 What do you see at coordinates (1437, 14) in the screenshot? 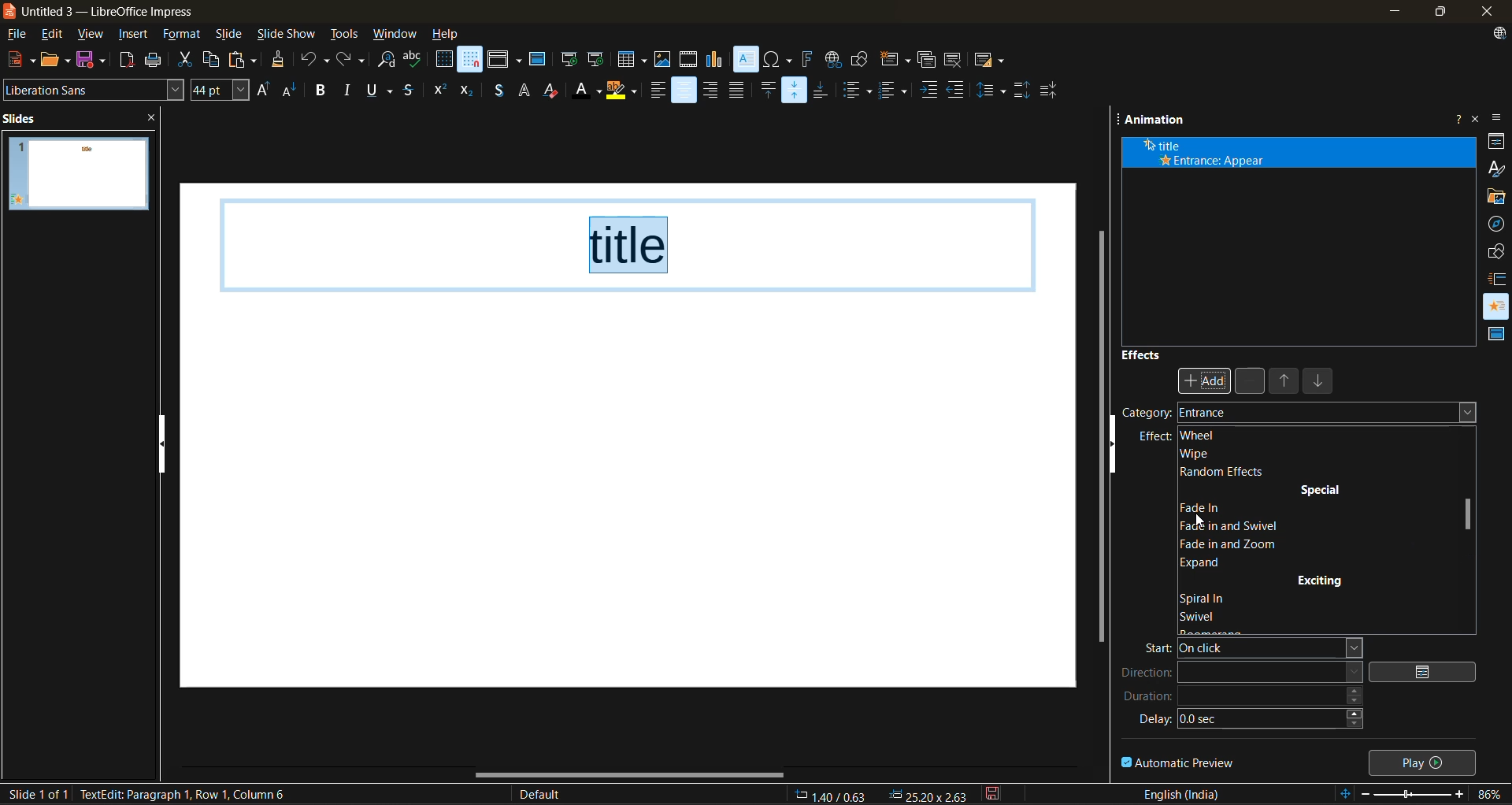
I see `maximize` at bounding box center [1437, 14].